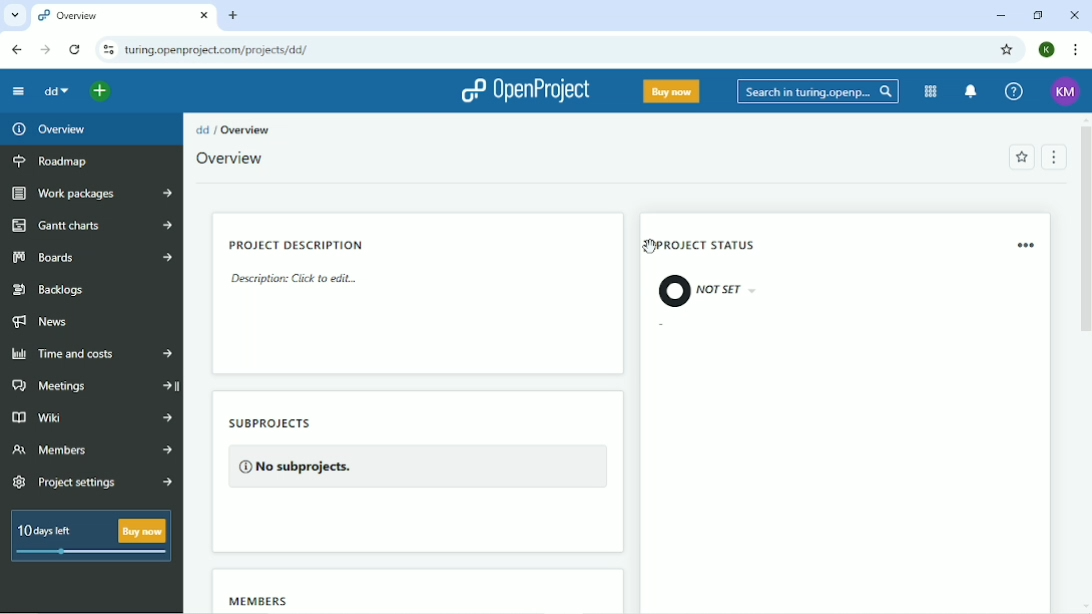 Image resolution: width=1092 pixels, height=614 pixels. I want to click on Open quick add menu, so click(100, 91).